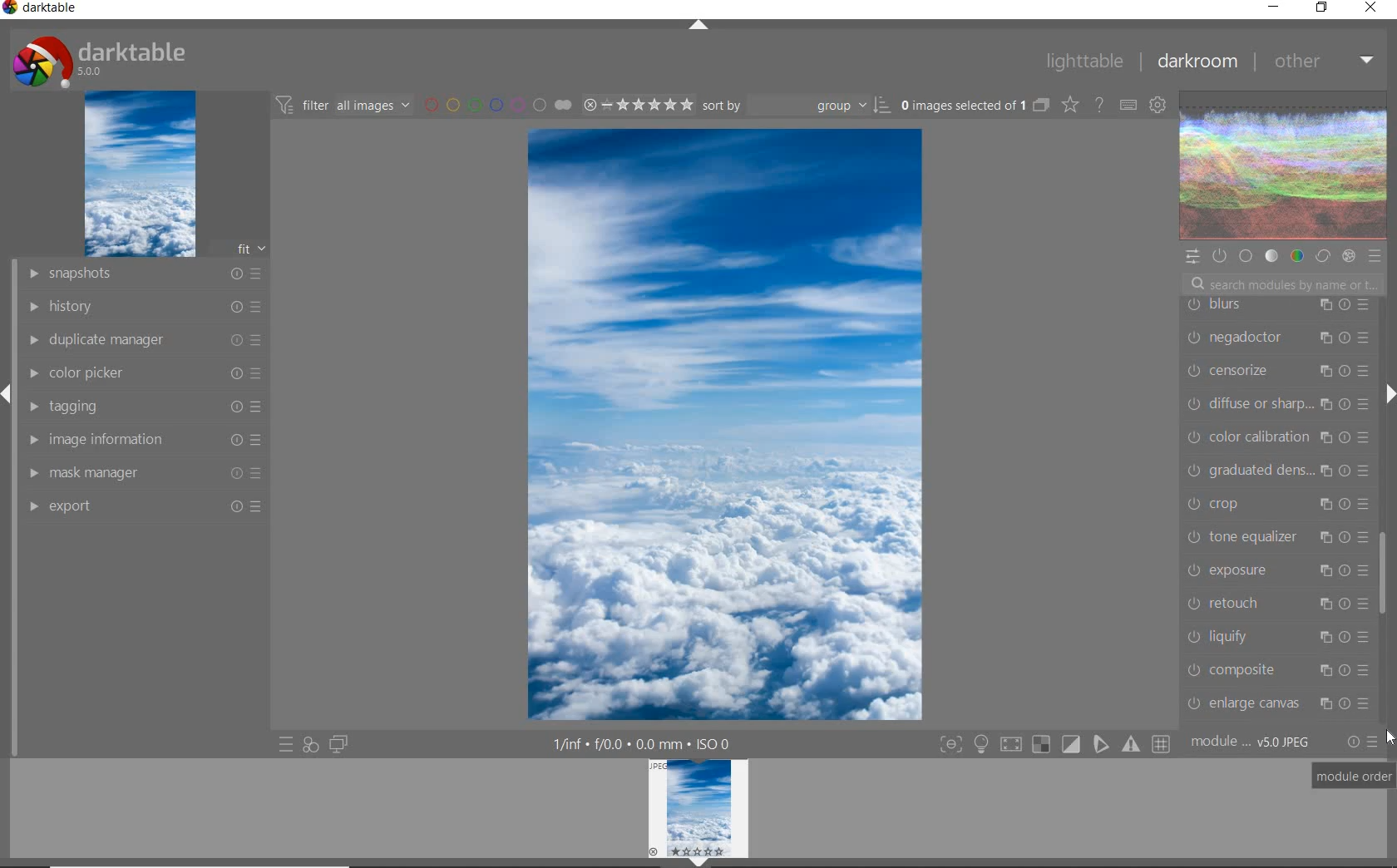  Describe the element at coordinates (1279, 469) in the screenshot. I see `graduated density` at that location.